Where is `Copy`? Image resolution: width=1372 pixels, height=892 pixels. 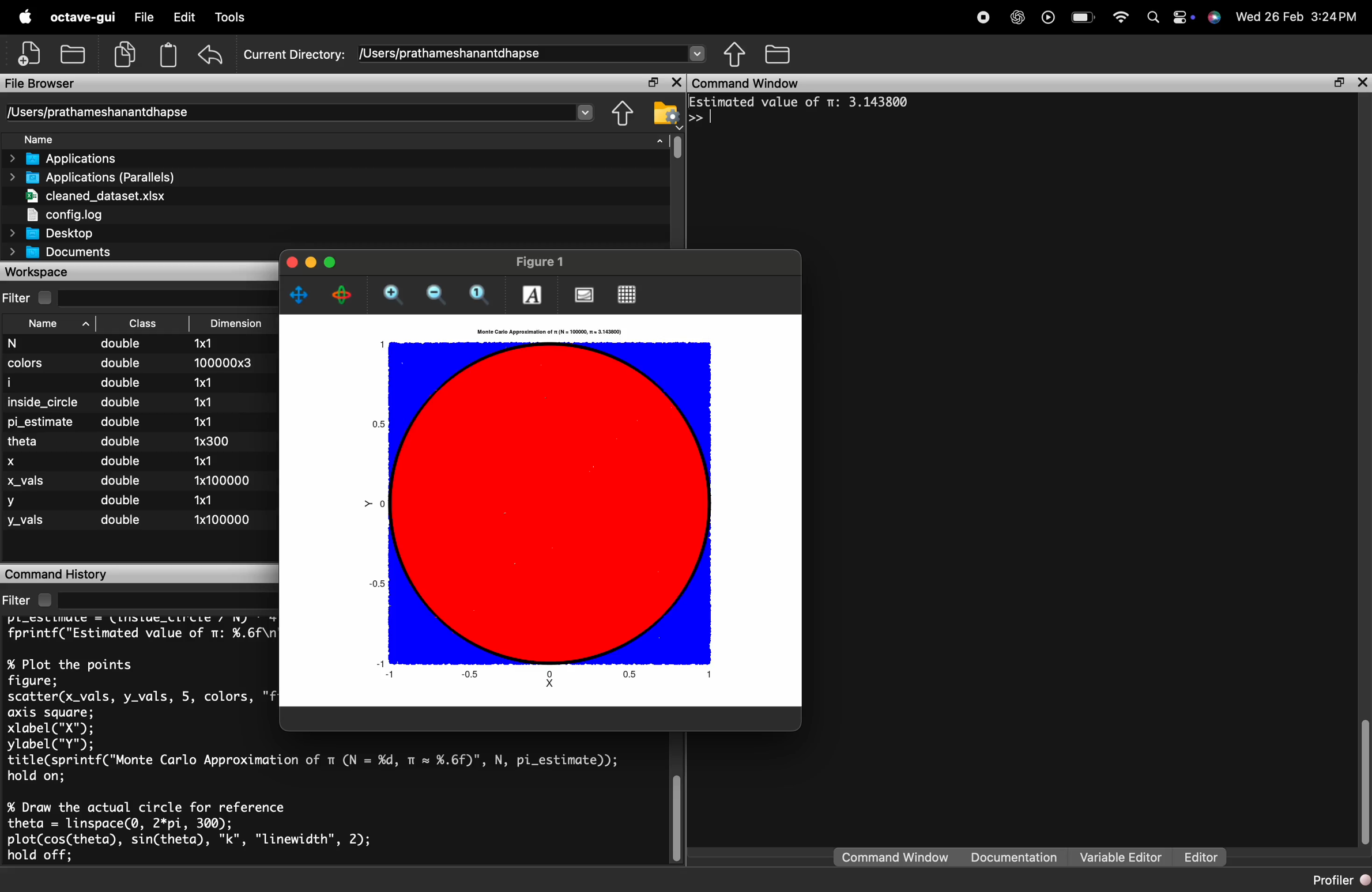
Copy is located at coordinates (126, 53).